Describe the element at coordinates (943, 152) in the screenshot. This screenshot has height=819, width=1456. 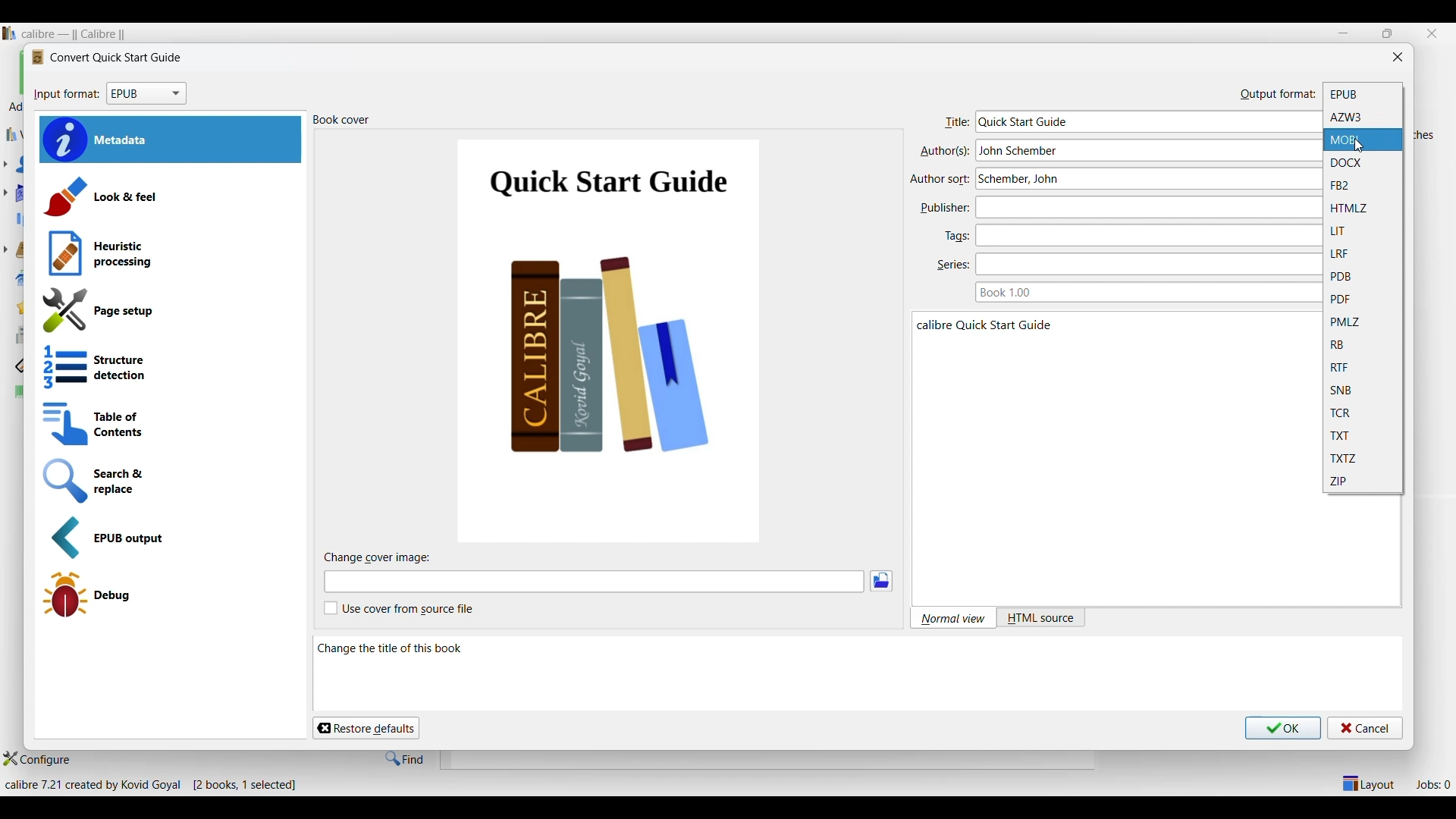
I see `authors` at that location.